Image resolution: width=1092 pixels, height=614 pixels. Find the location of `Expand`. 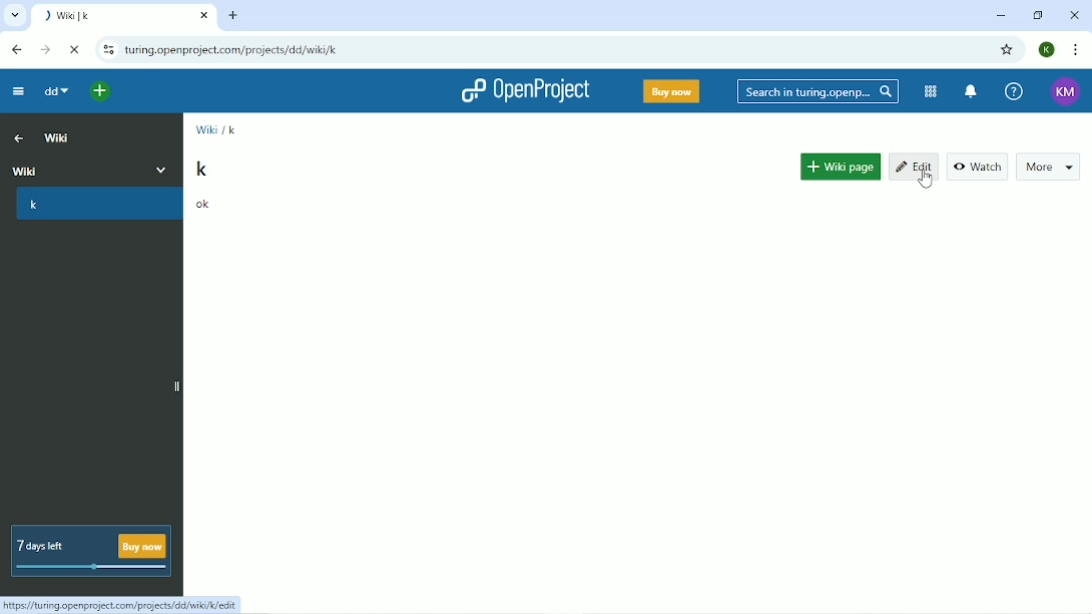

Expand is located at coordinates (173, 387).